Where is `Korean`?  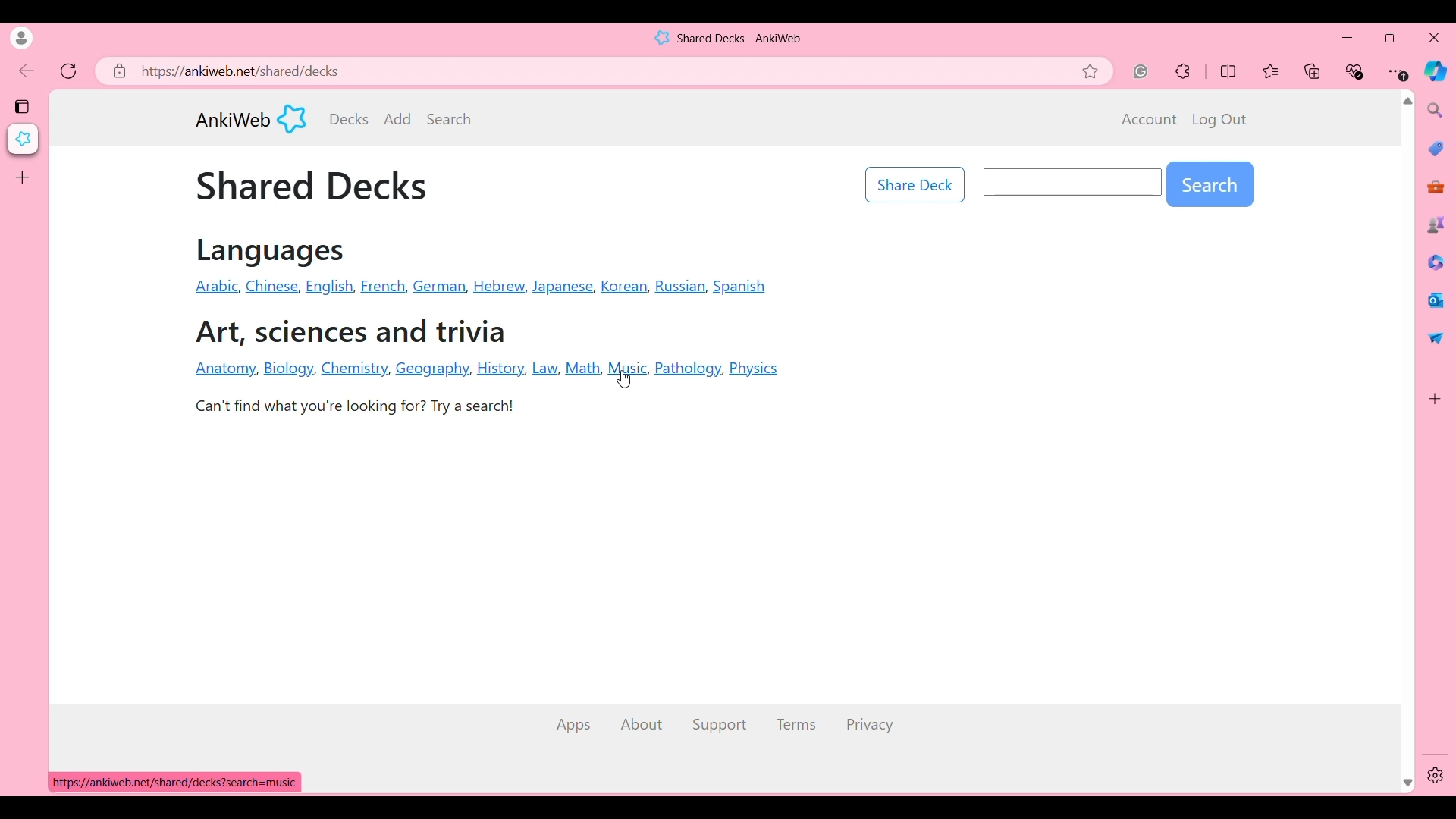 Korean is located at coordinates (621, 286).